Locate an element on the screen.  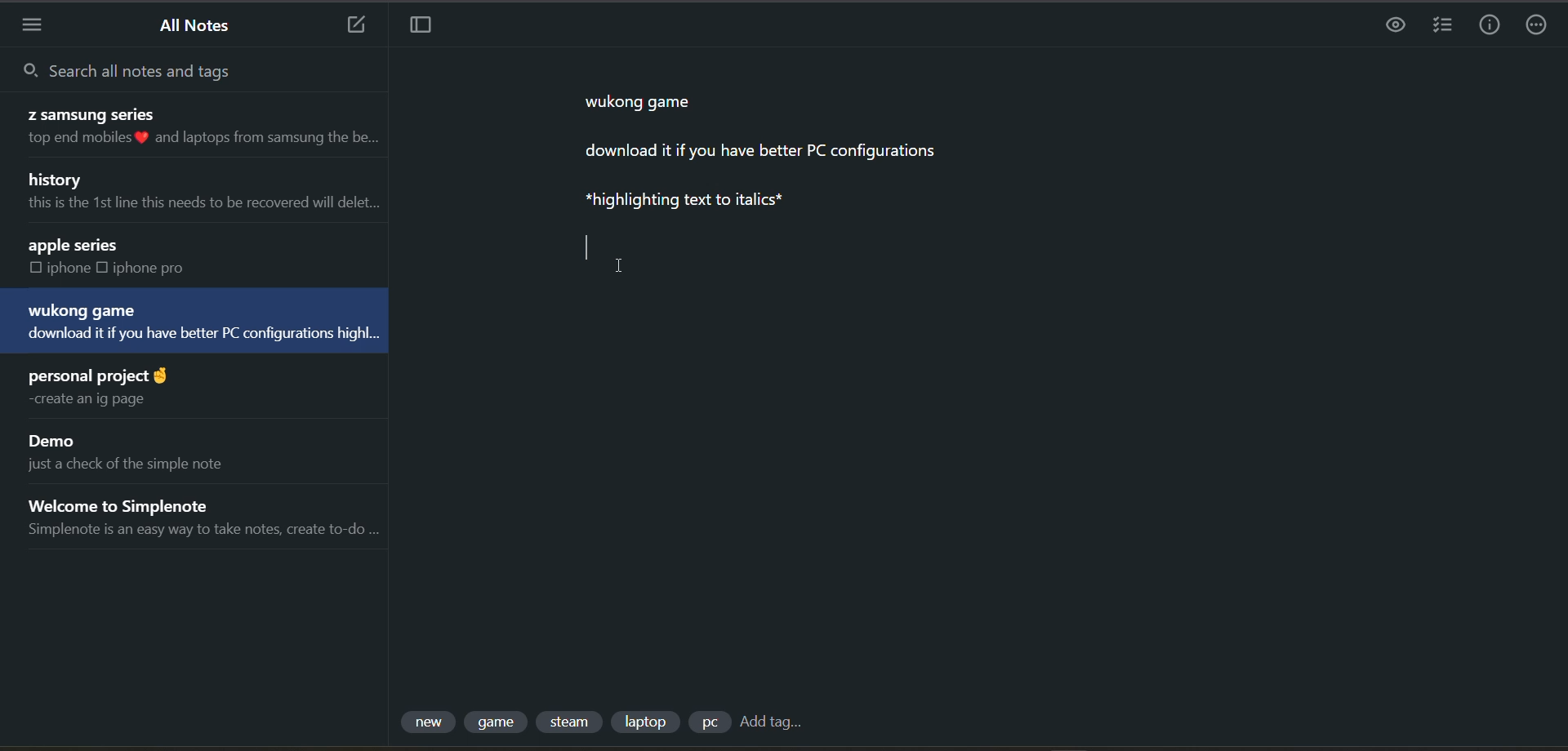
tag 1 is located at coordinates (427, 722).